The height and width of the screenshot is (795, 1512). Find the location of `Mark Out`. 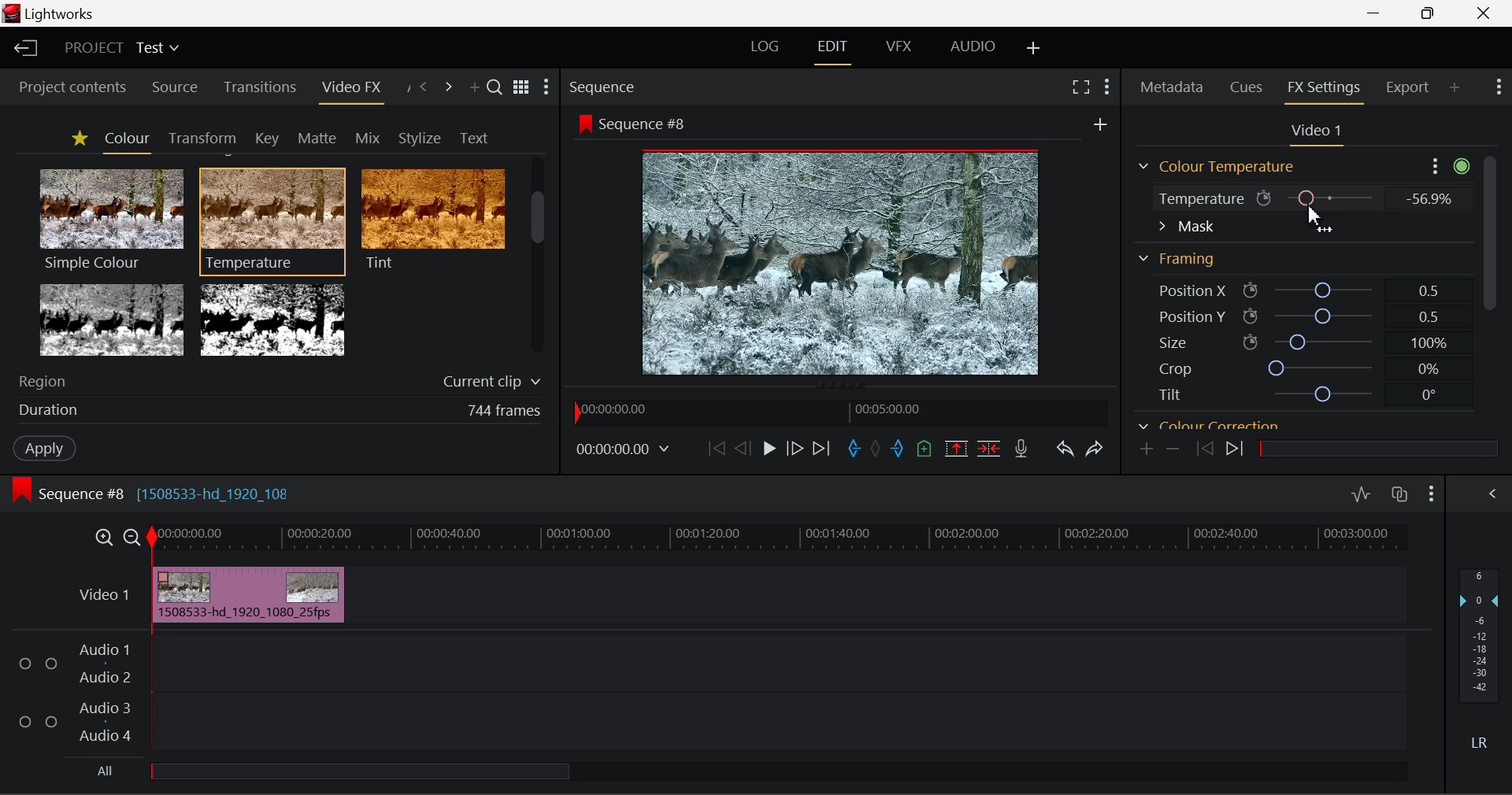

Mark Out is located at coordinates (898, 452).